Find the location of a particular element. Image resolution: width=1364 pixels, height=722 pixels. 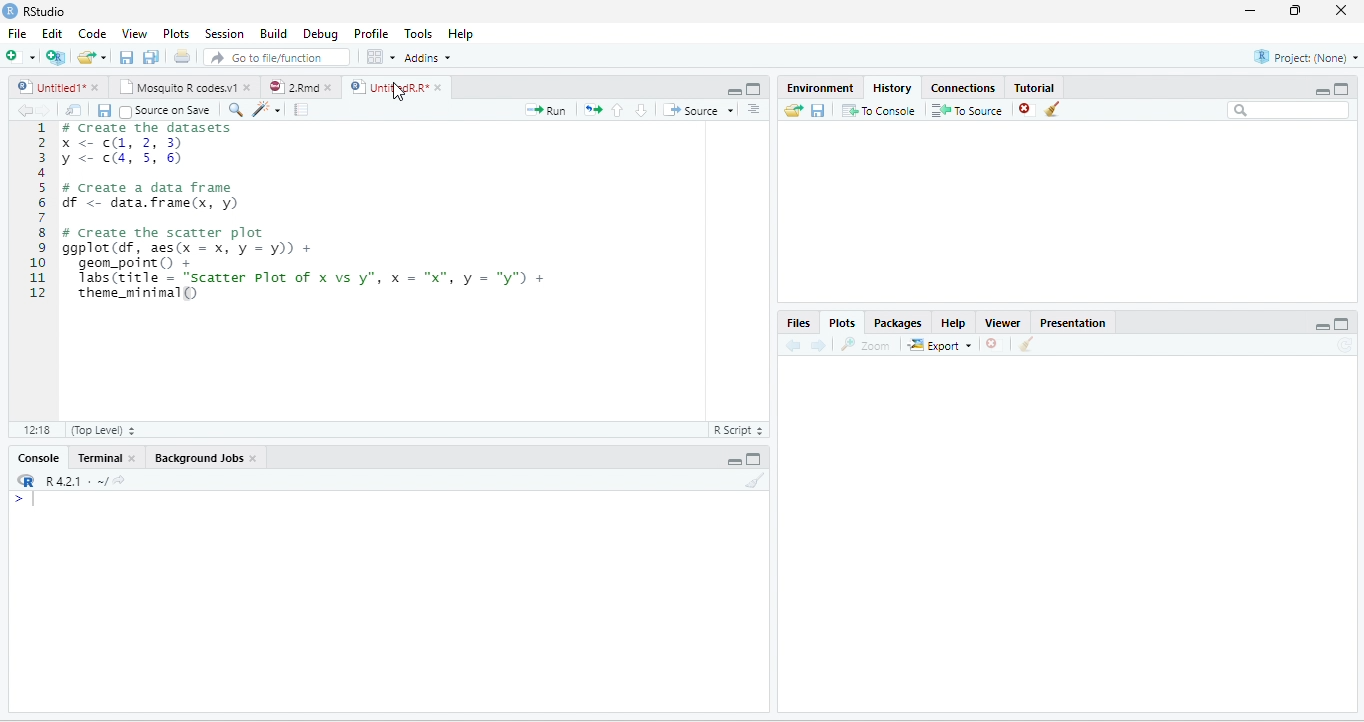

Minimize is located at coordinates (1322, 91).